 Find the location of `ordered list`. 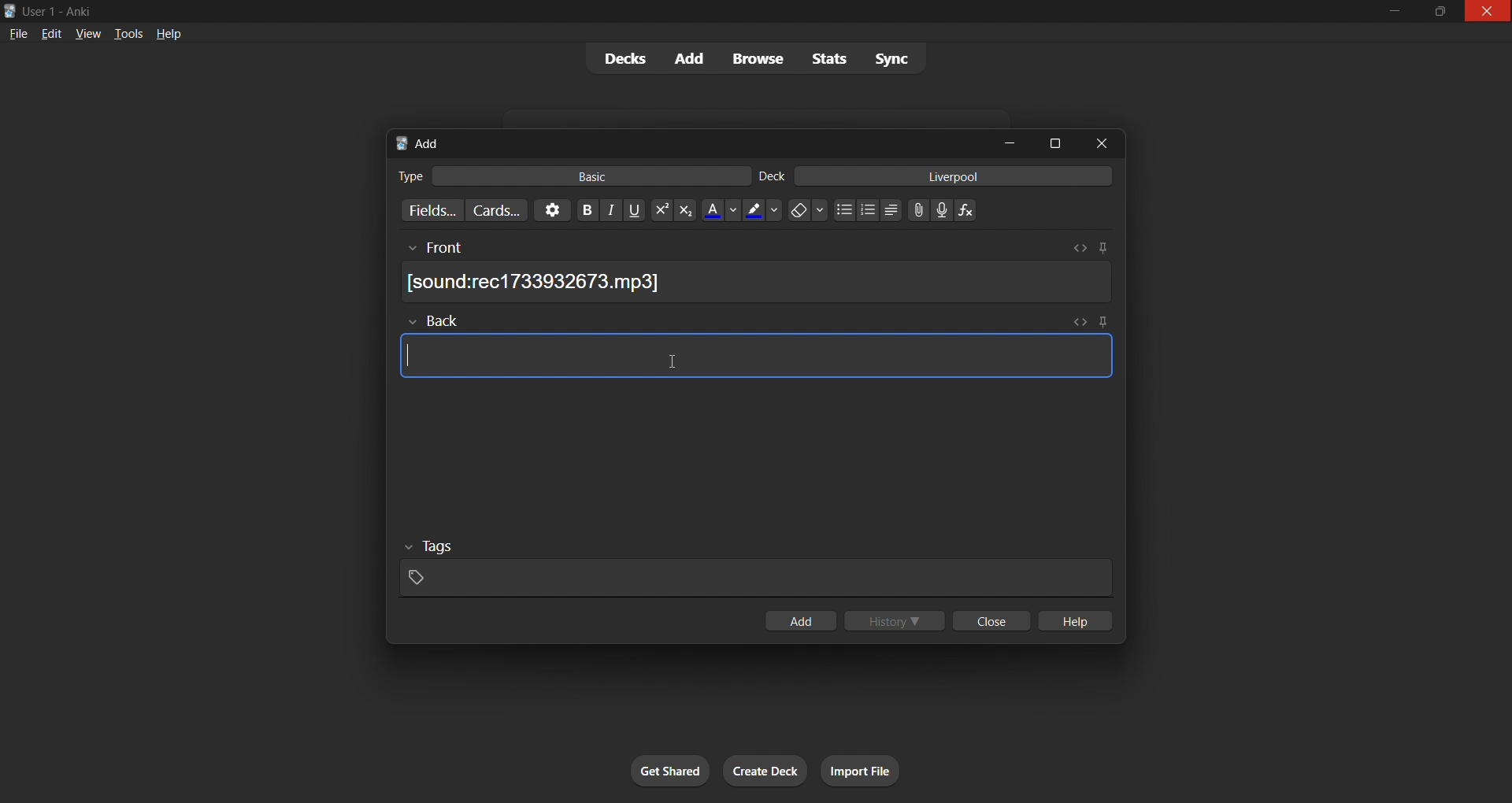

ordered list is located at coordinates (868, 212).